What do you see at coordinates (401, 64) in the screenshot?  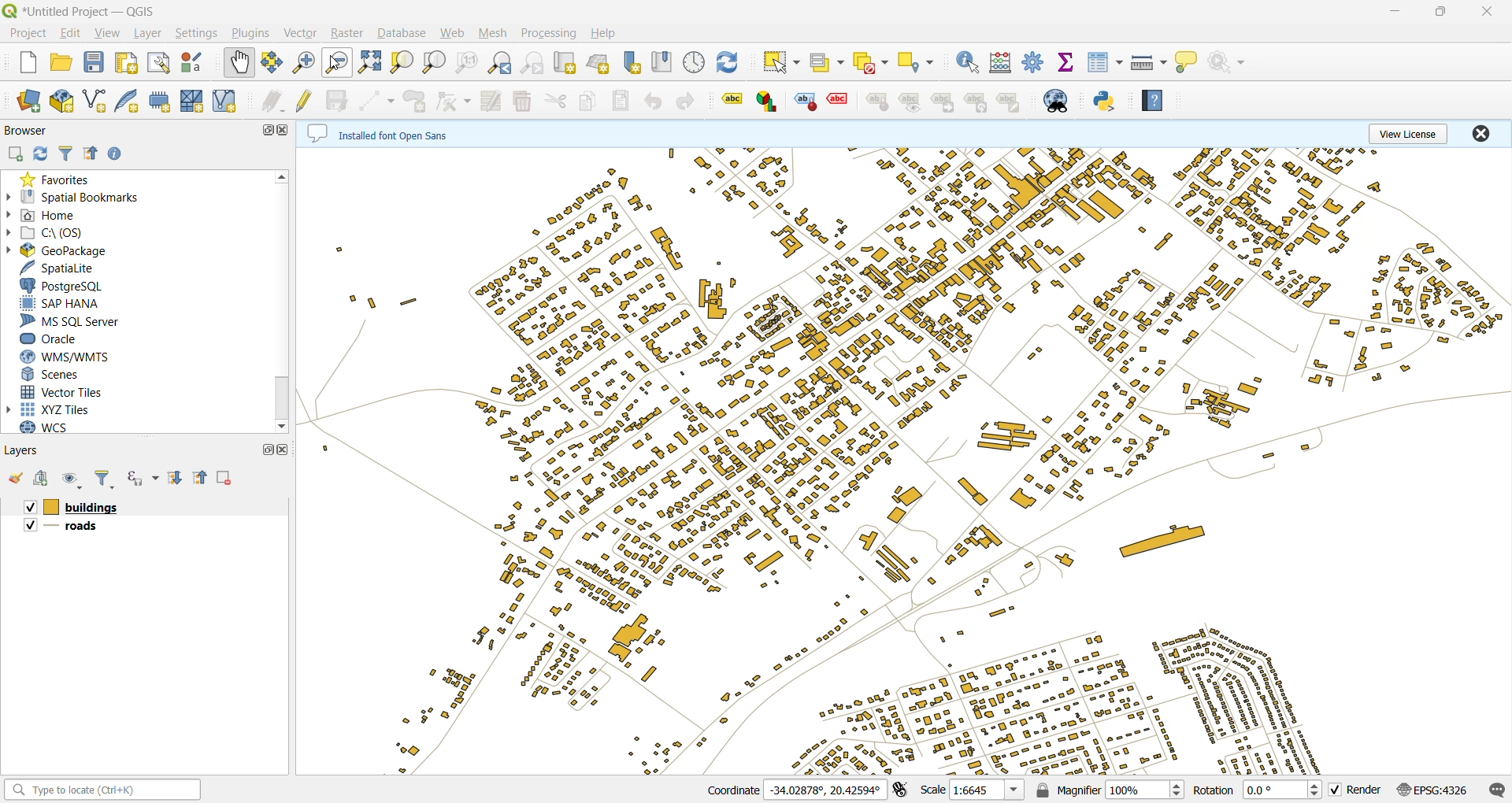 I see `zoom selection` at bounding box center [401, 64].